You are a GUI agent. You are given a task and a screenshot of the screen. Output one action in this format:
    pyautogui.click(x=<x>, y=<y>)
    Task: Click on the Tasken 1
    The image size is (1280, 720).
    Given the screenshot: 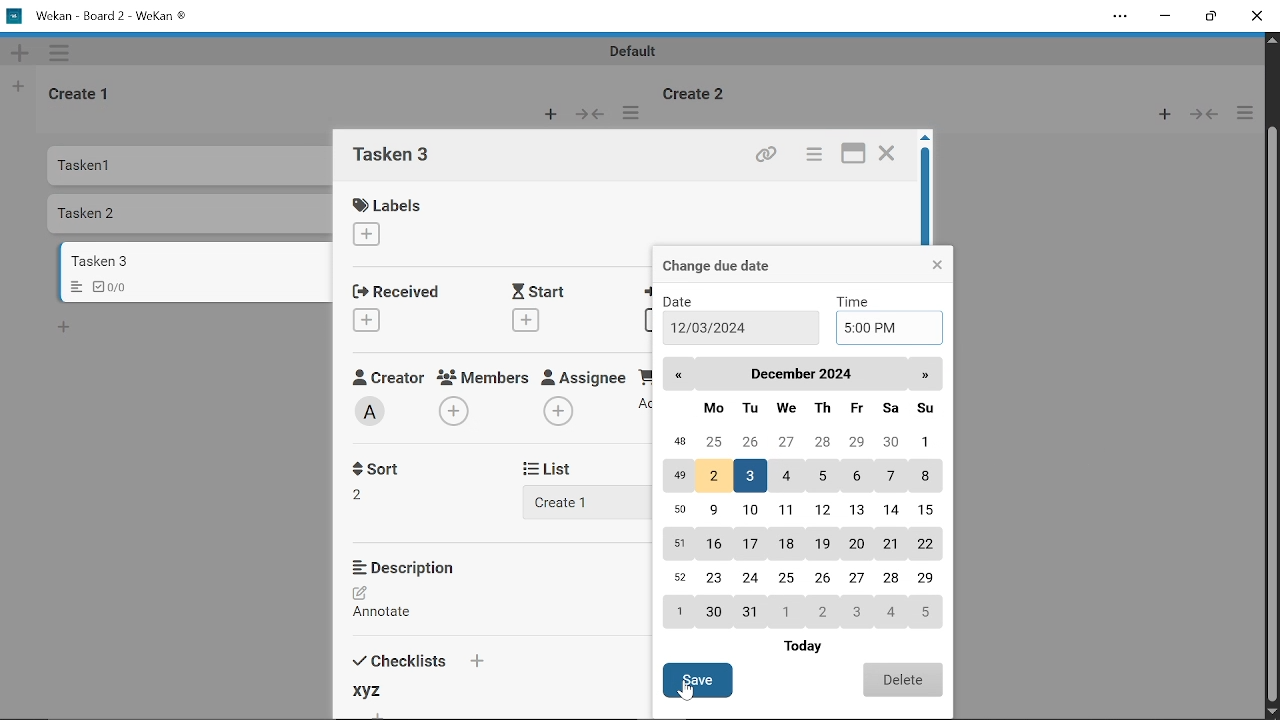 What is the action you would take?
    pyautogui.click(x=133, y=167)
    